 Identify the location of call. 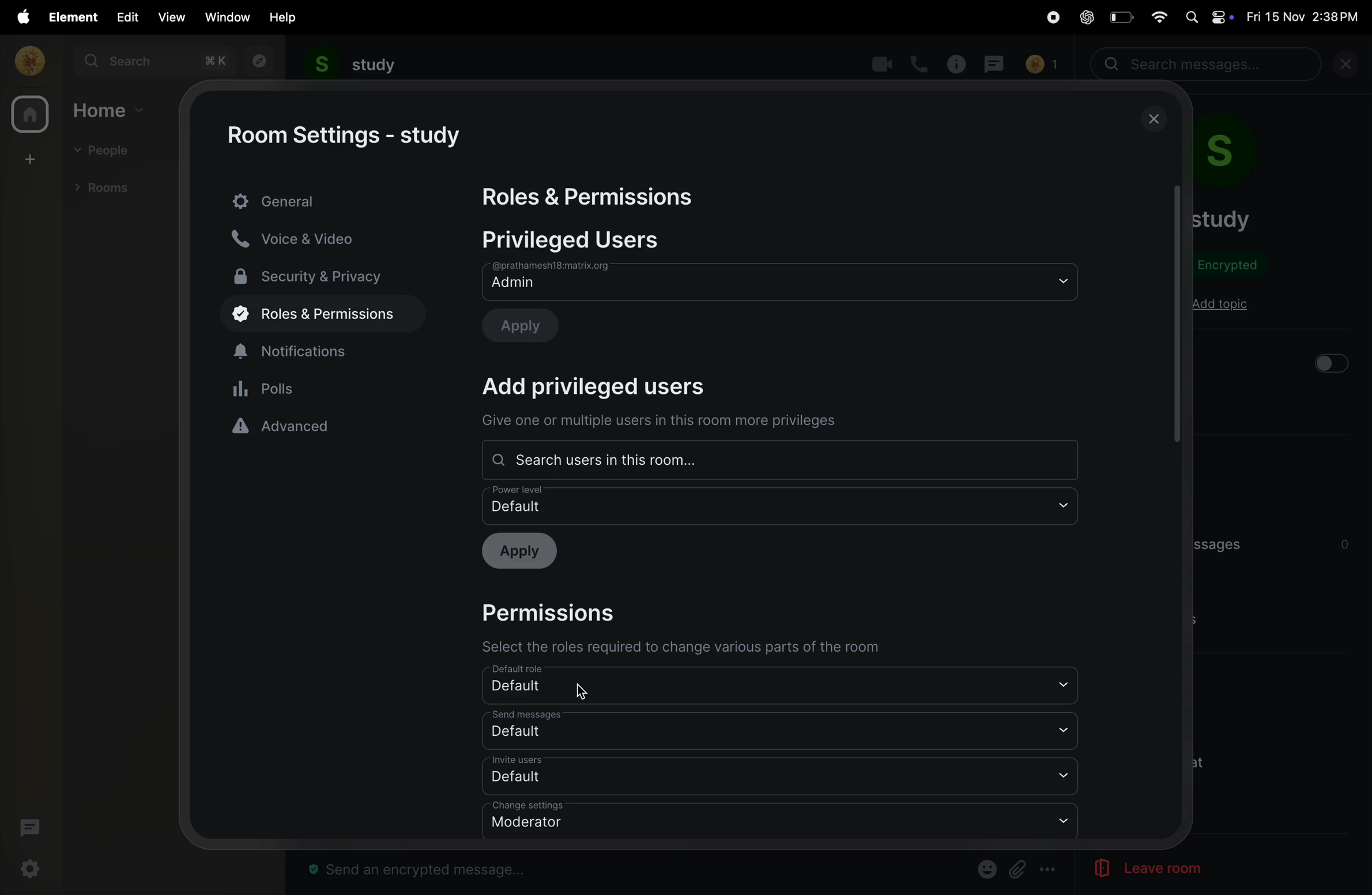
(921, 63).